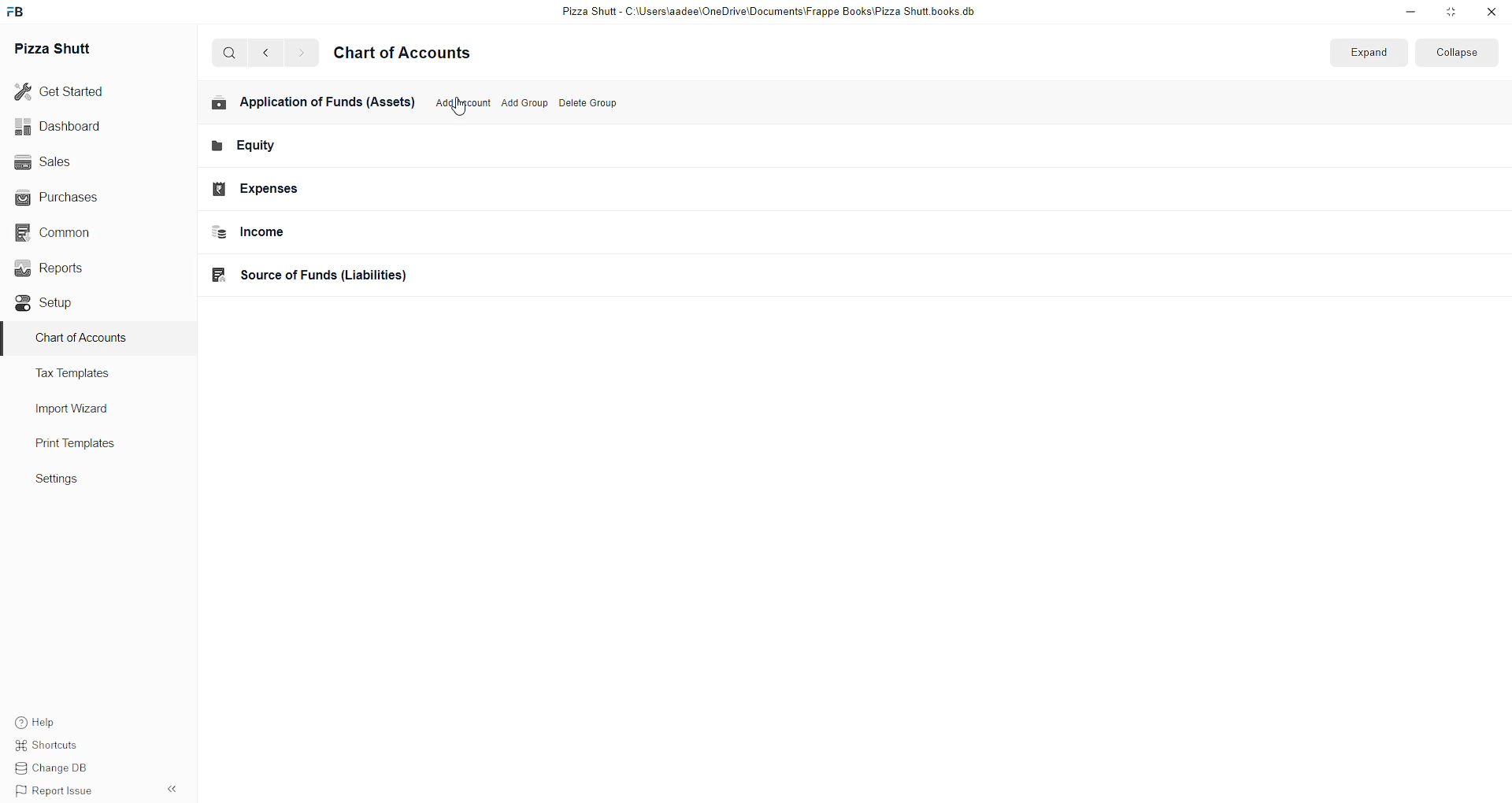 The image size is (1512, 803). What do you see at coordinates (69, 128) in the screenshot?
I see `Dashboard ` at bounding box center [69, 128].